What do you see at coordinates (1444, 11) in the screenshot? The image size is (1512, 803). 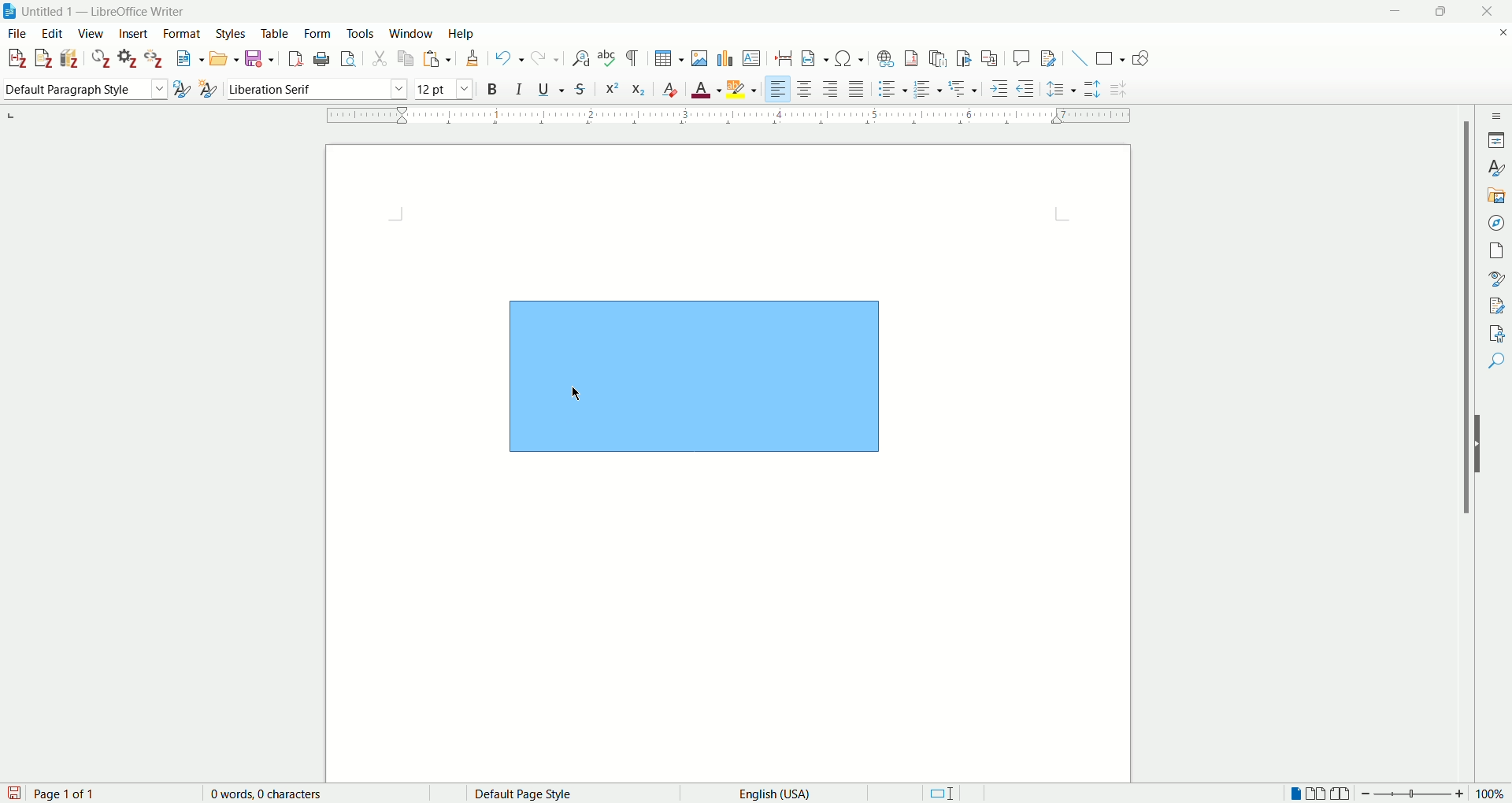 I see `maximize` at bounding box center [1444, 11].